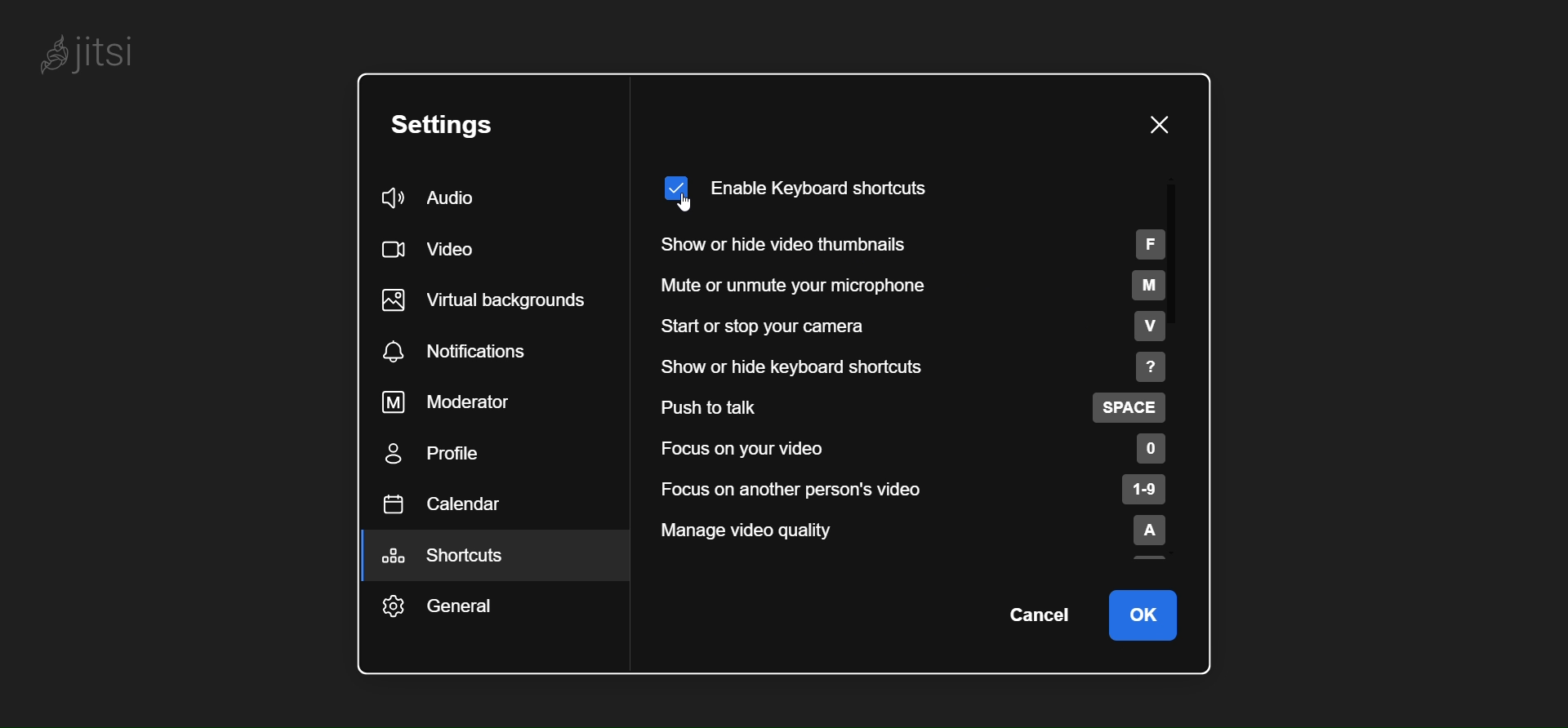 The image size is (1568, 728). What do you see at coordinates (917, 490) in the screenshot?
I see `focus on another person` at bounding box center [917, 490].